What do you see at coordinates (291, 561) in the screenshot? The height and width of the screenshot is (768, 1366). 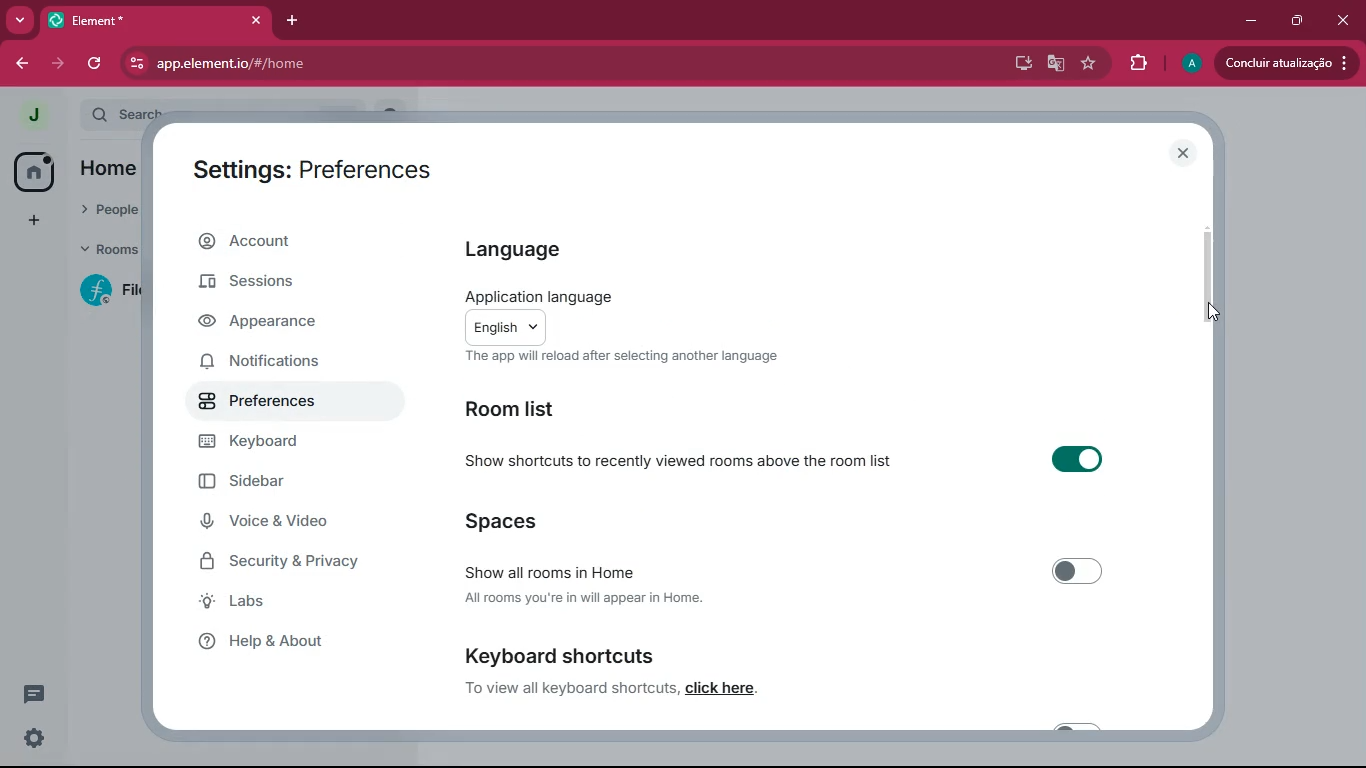 I see `security & privacy` at bounding box center [291, 561].